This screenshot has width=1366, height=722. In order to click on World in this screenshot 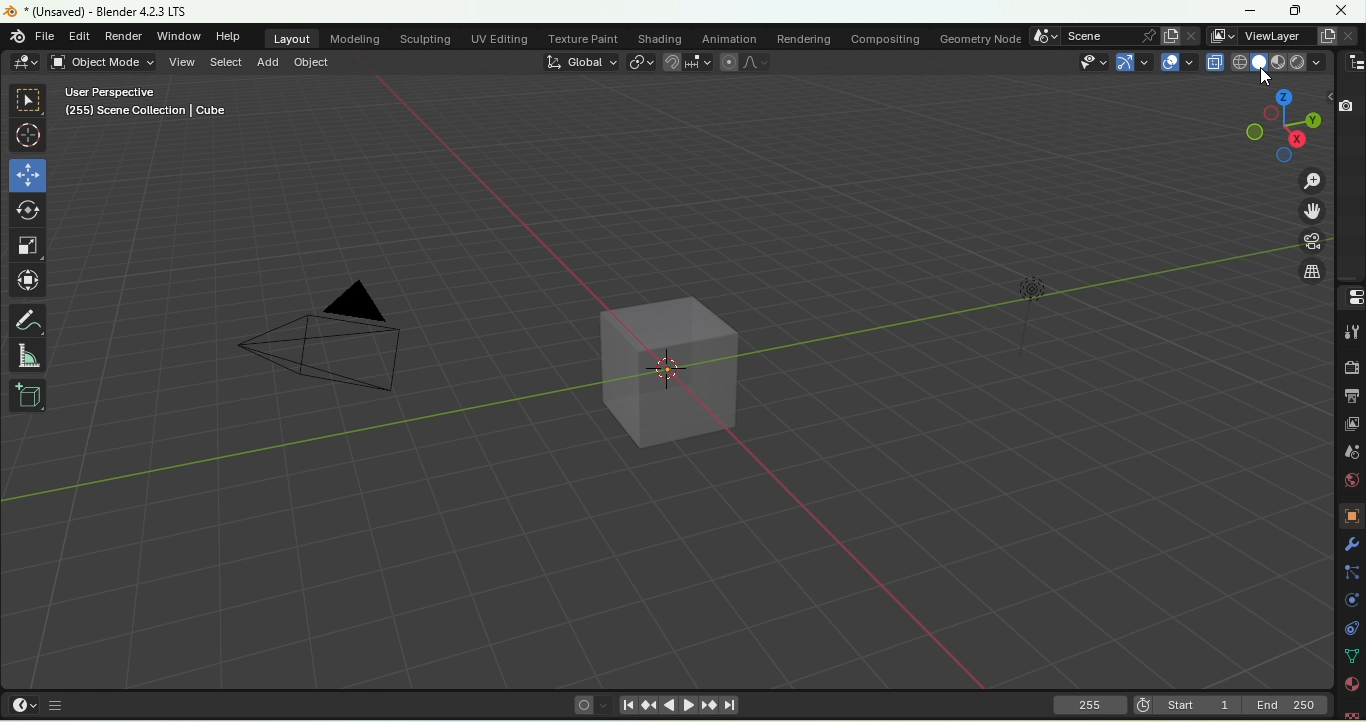, I will do `click(1346, 484)`.